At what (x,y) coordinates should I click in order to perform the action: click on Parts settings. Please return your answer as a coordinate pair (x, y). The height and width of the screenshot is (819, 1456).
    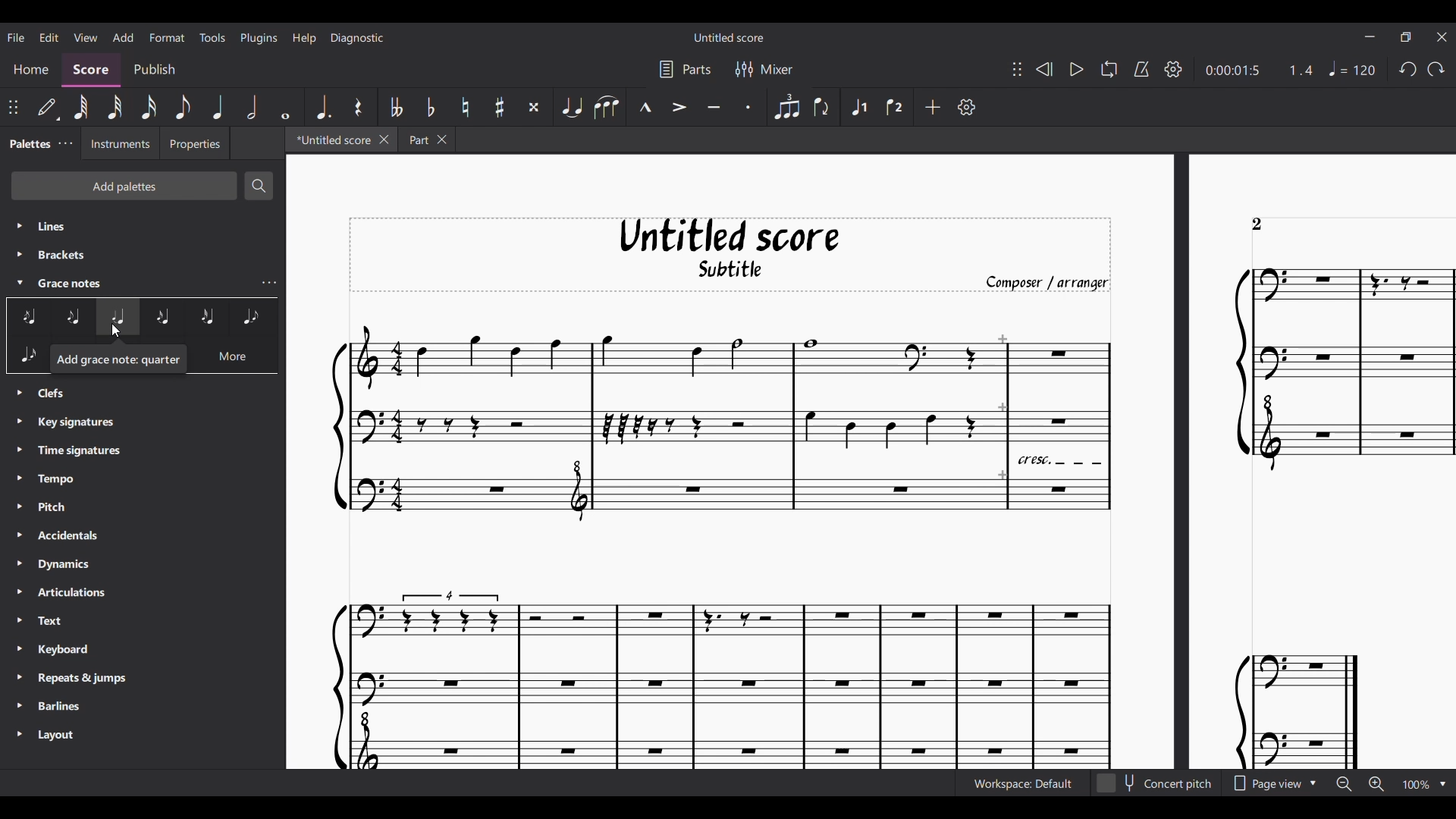
    Looking at the image, I should click on (685, 70).